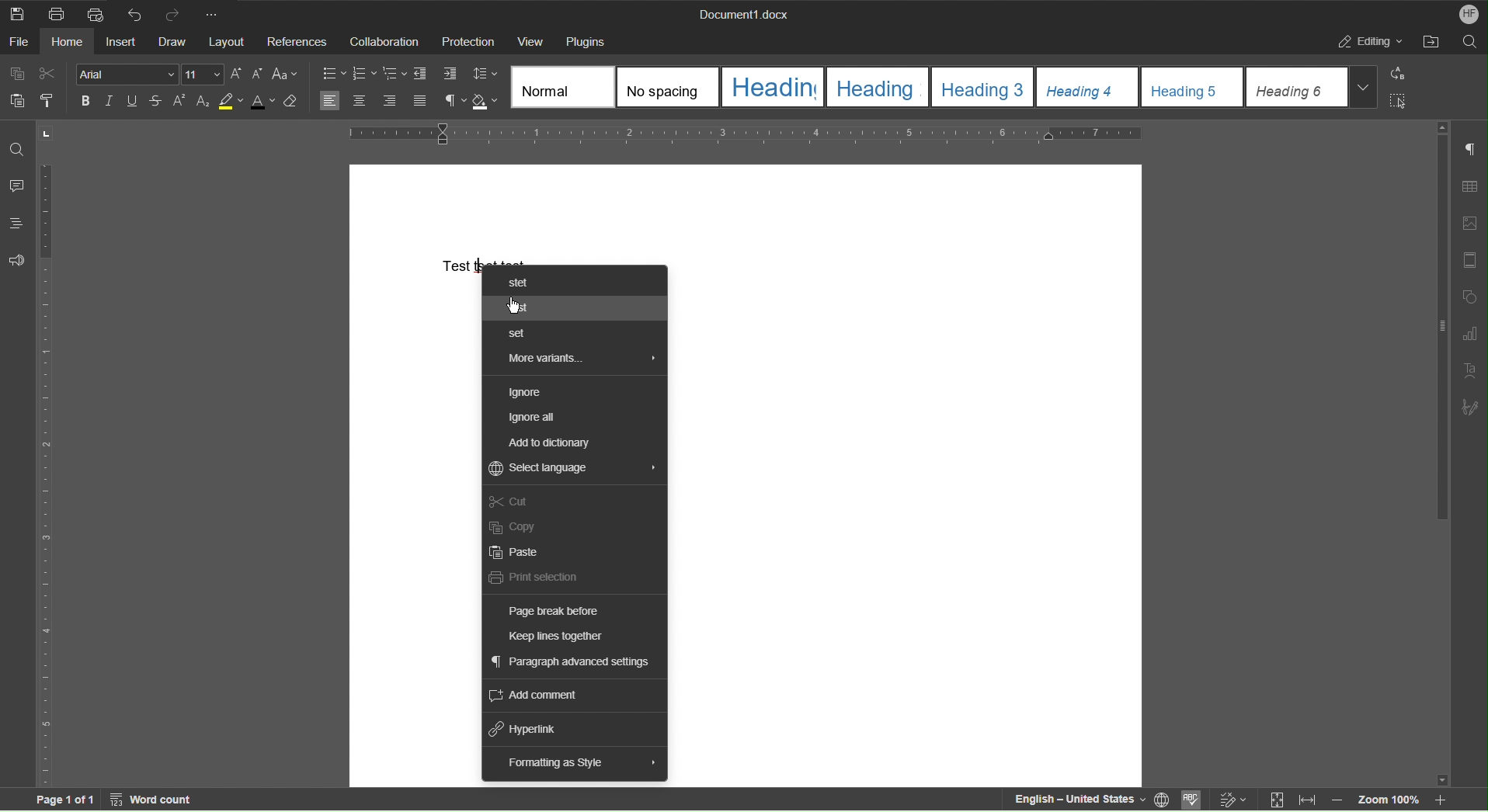 The width and height of the screenshot is (1488, 812). Describe the element at coordinates (520, 500) in the screenshot. I see `Cut` at that location.